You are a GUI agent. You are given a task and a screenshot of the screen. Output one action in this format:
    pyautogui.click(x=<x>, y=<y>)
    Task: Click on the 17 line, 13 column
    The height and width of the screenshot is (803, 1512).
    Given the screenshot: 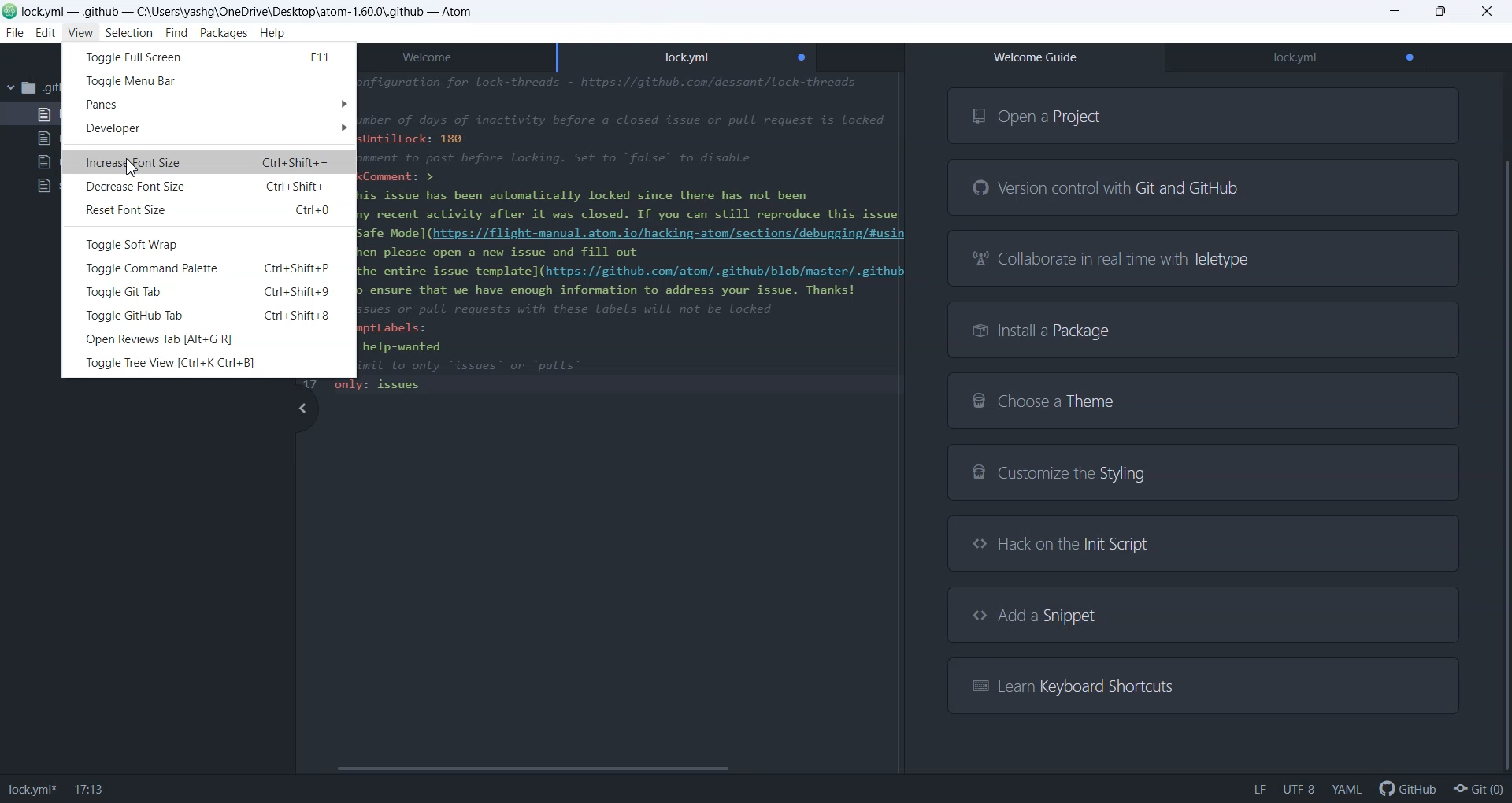 What is the action you would take?
    pyautogui.click(x=90, y=790)
    